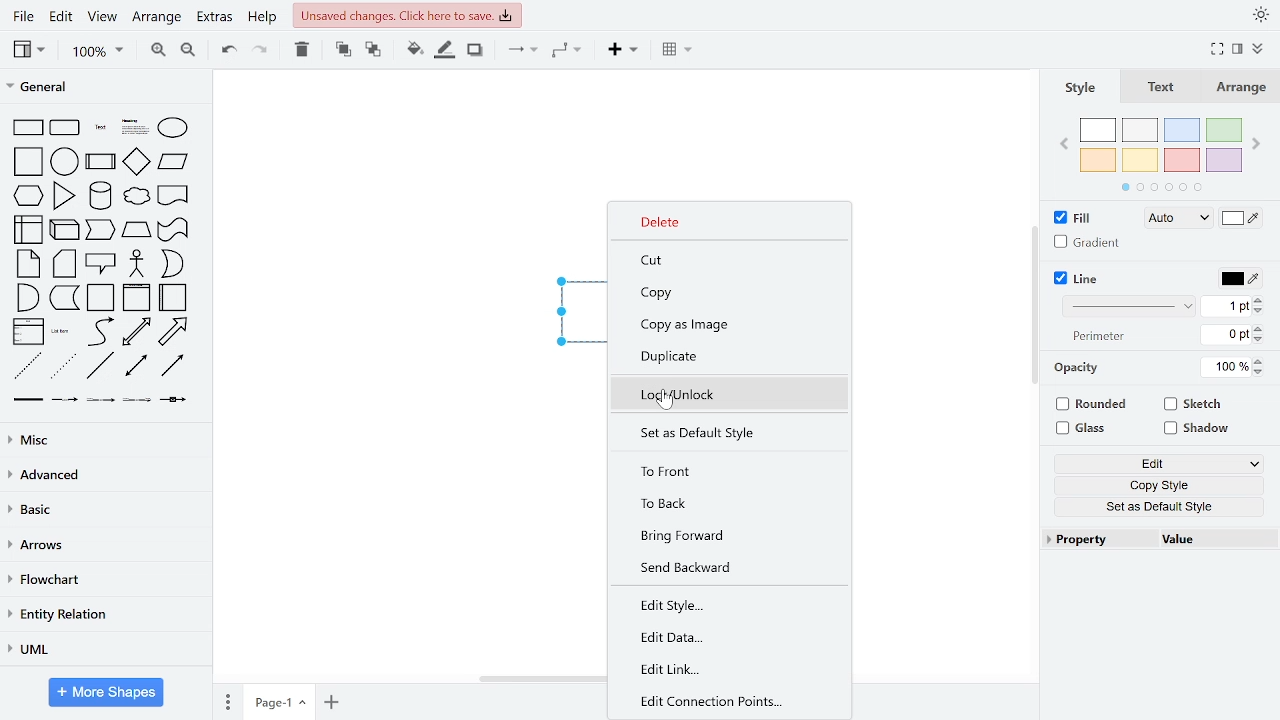 The image size is (1280, 720). Describe the element at coordinates (1259, 361) in the screenshot. I see `increase opacity` at that location.